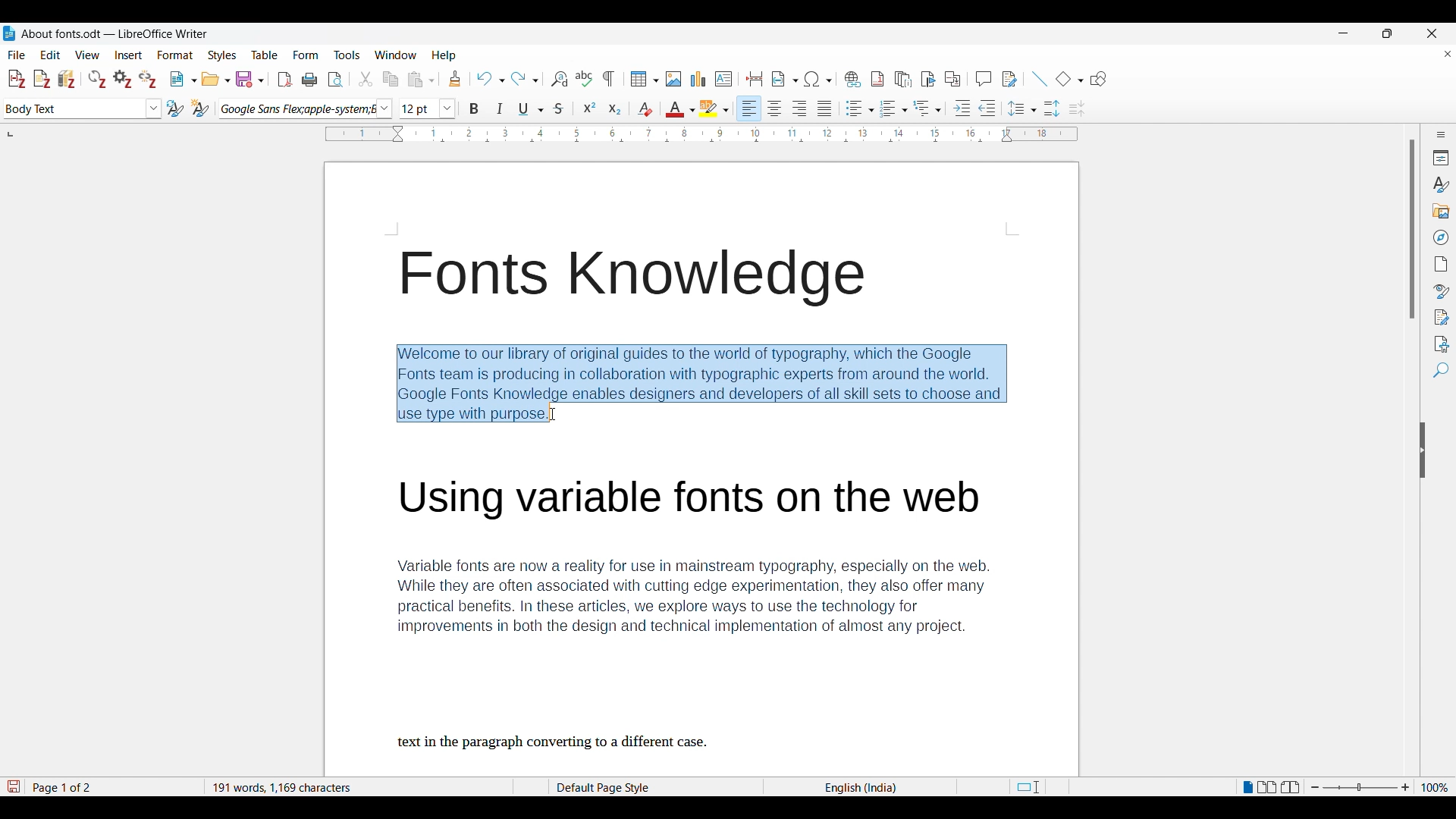 The height and width of the screenshot is (819, 1456). Describe the element at coordinates (852, 79) in the screenshot. I see `Insert hyperlink` at that location.